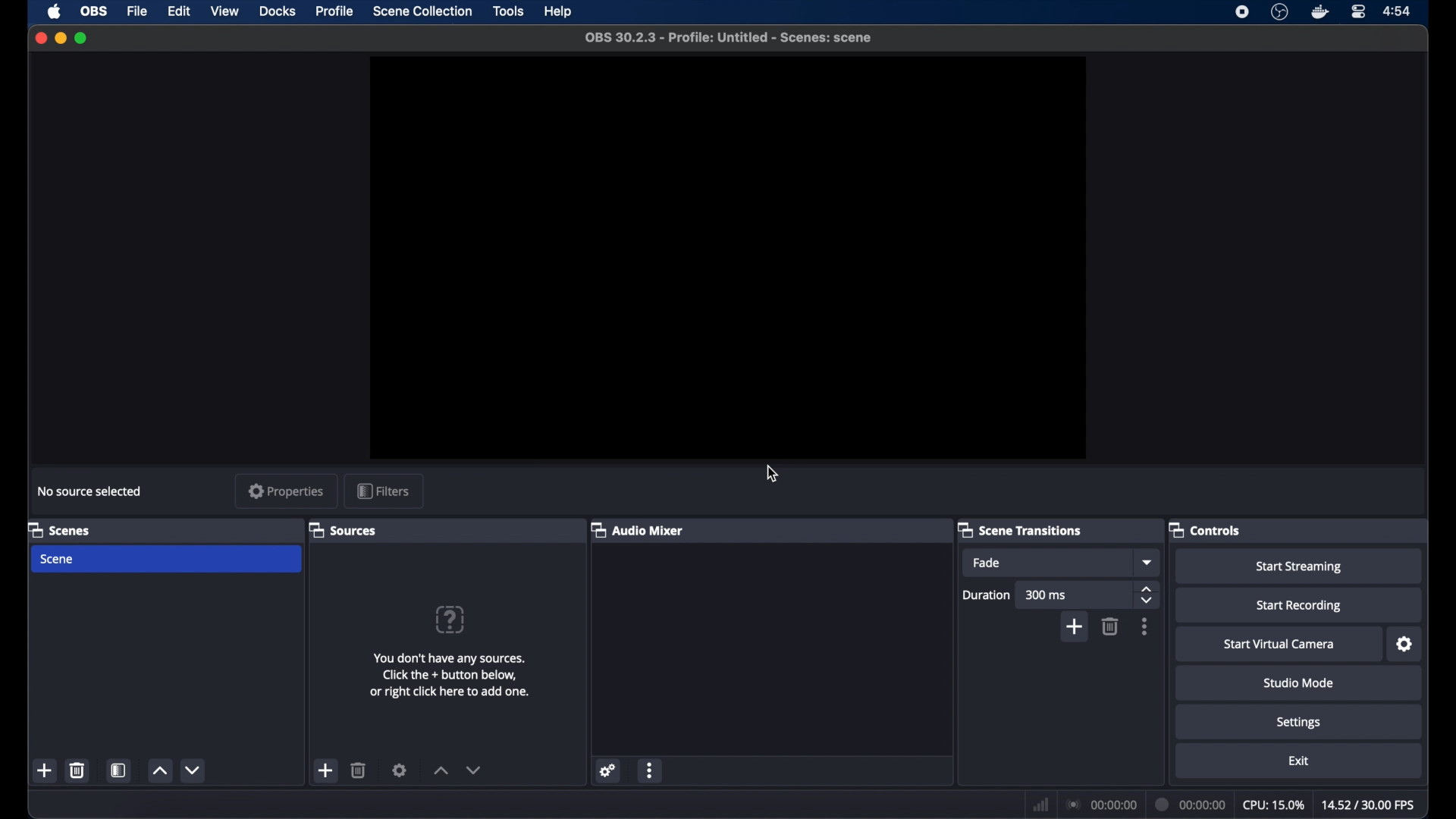  Describe the element at coordinates (1194, 802) in the screenshot. I see `current time indicator` at that location.